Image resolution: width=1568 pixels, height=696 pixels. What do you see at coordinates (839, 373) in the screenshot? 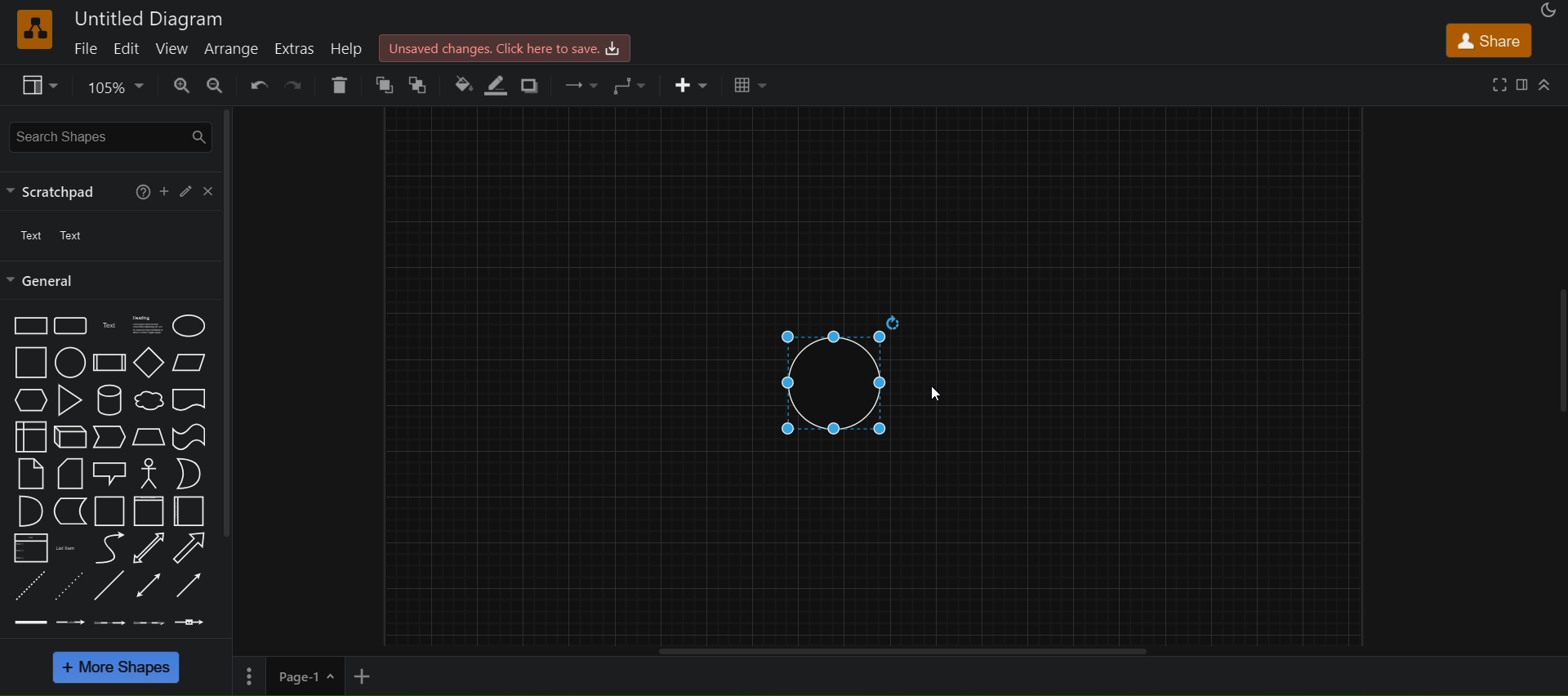
I see `circle` at bounding box center [839, 373].